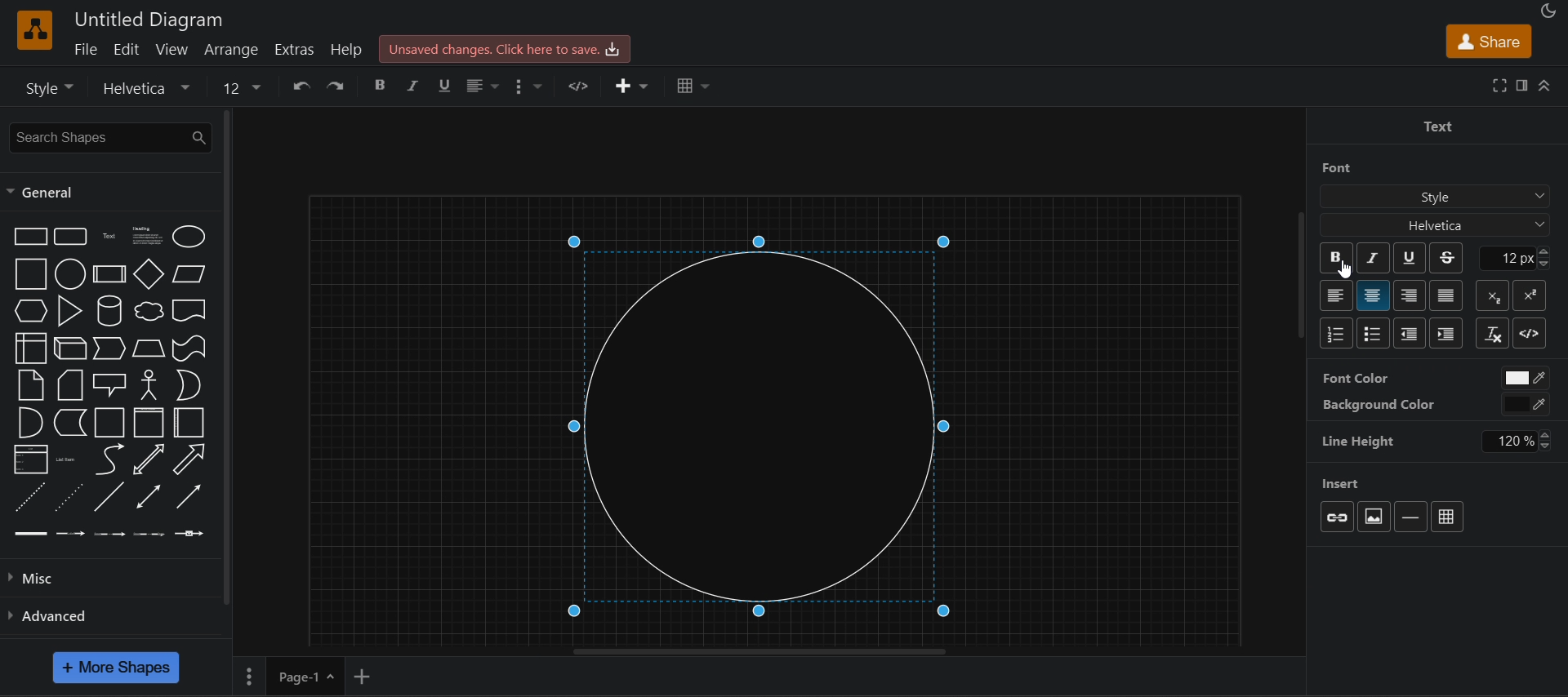  I want to click on logo, so click(33, 30).